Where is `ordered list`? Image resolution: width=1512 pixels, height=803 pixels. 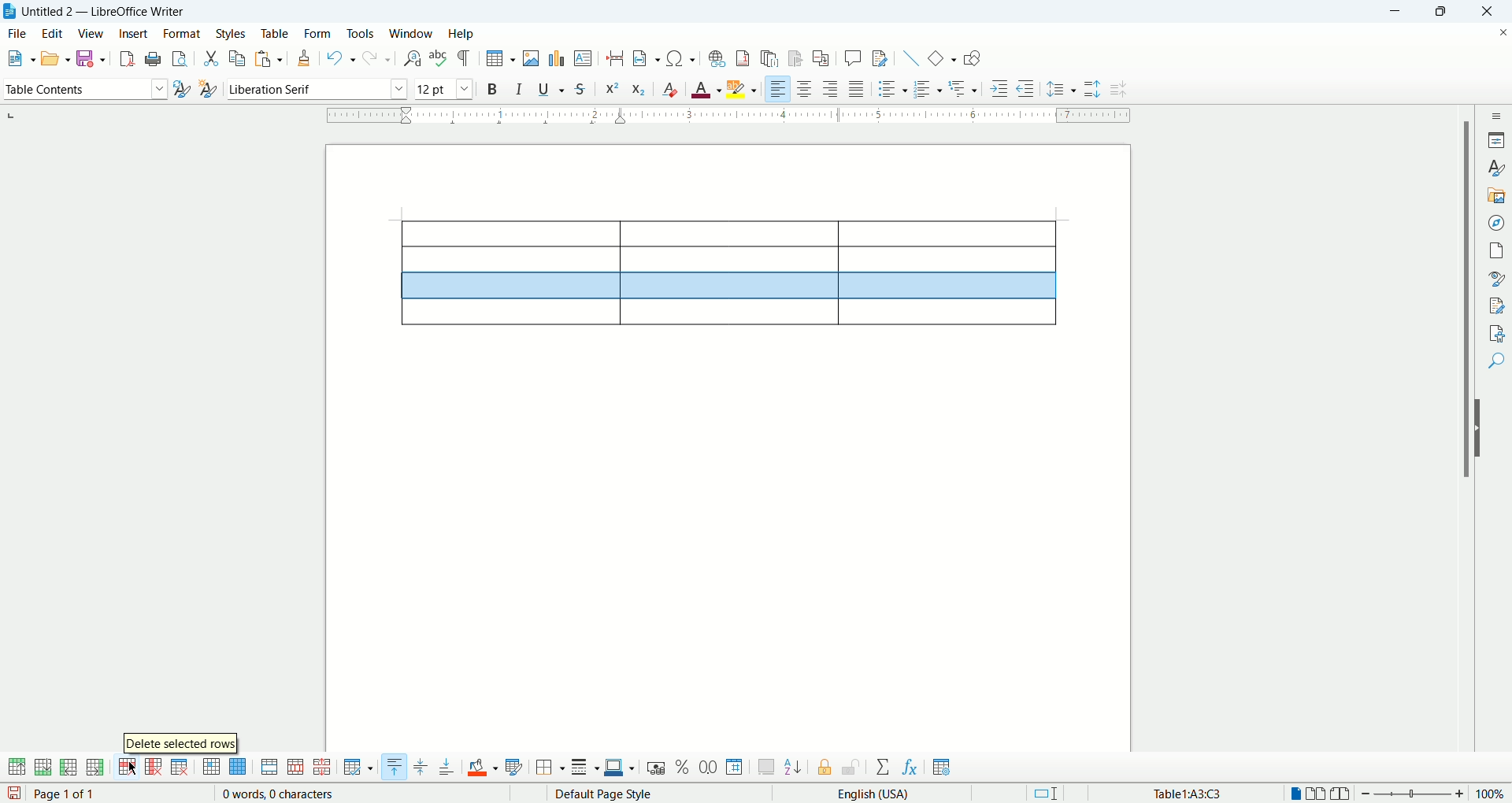 ordered list is located at coordinates (930, 87).